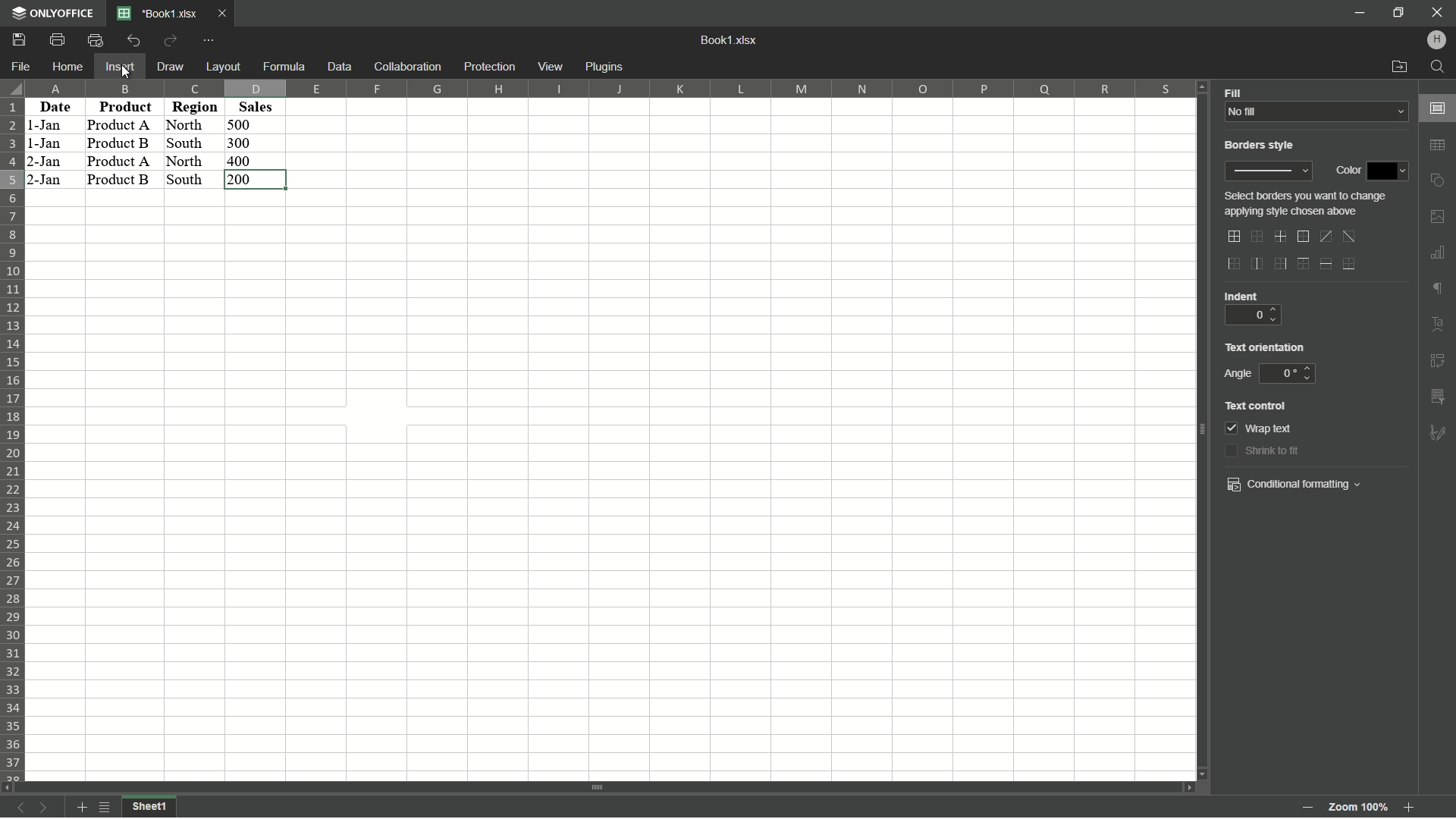 This screenshot has width=1456, height=819. Describe the element at coordinates (731, 40) in the screenshot. I see `book1.xlsx` at that location.